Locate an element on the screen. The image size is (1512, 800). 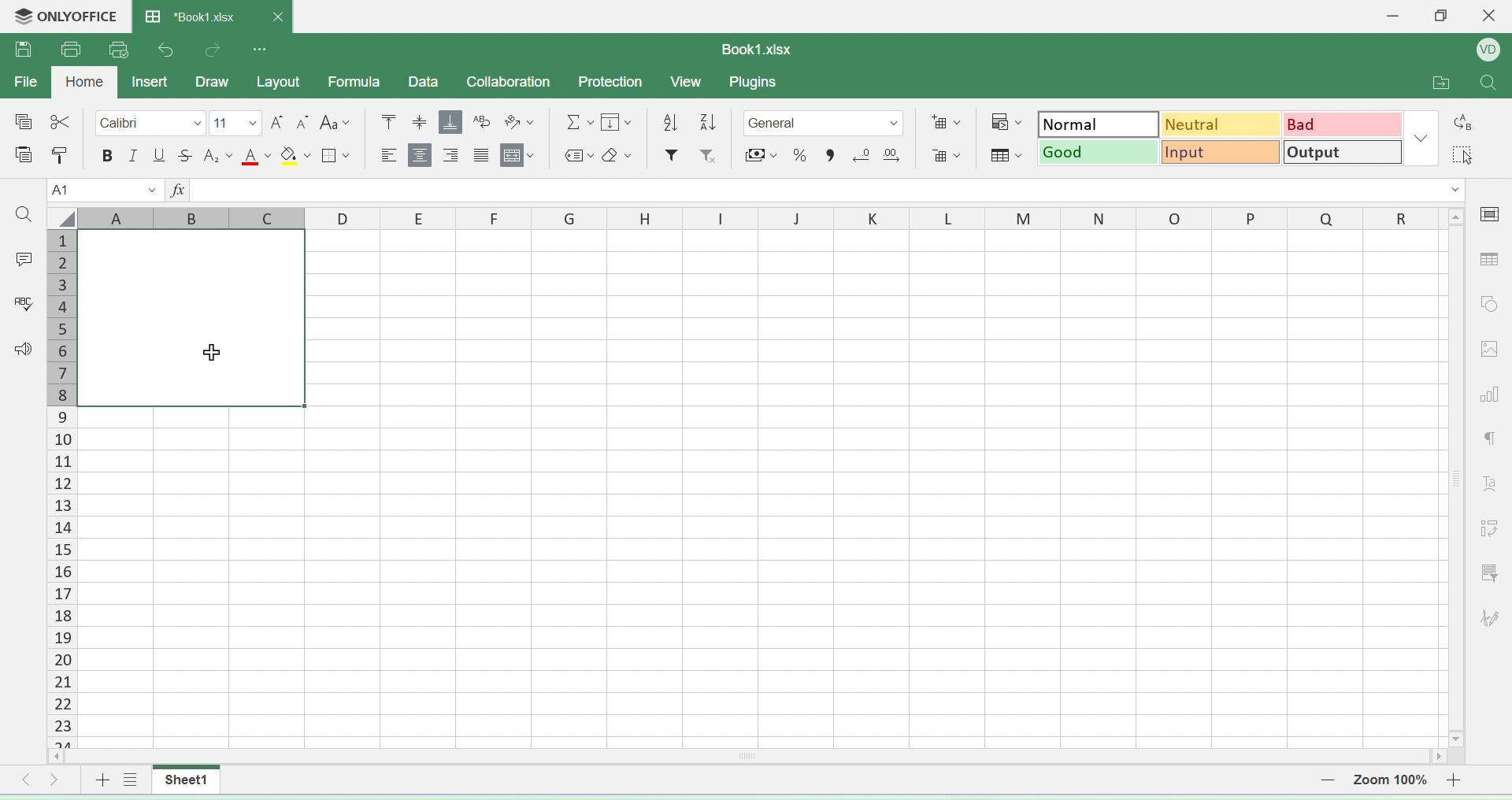
formula bar is located at coordinates (817, 190).